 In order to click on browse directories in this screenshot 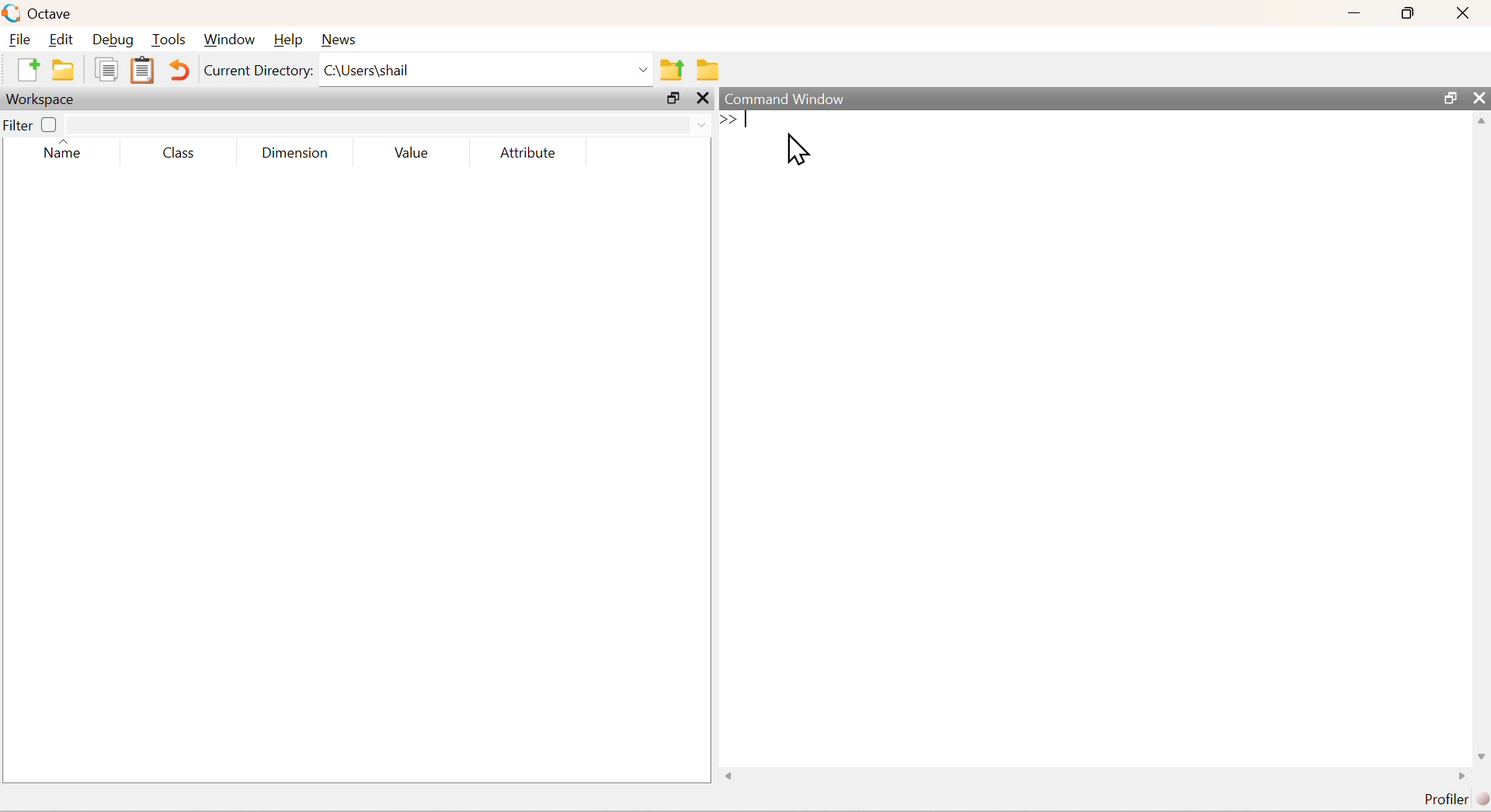, I will do `click(705, 70)`.